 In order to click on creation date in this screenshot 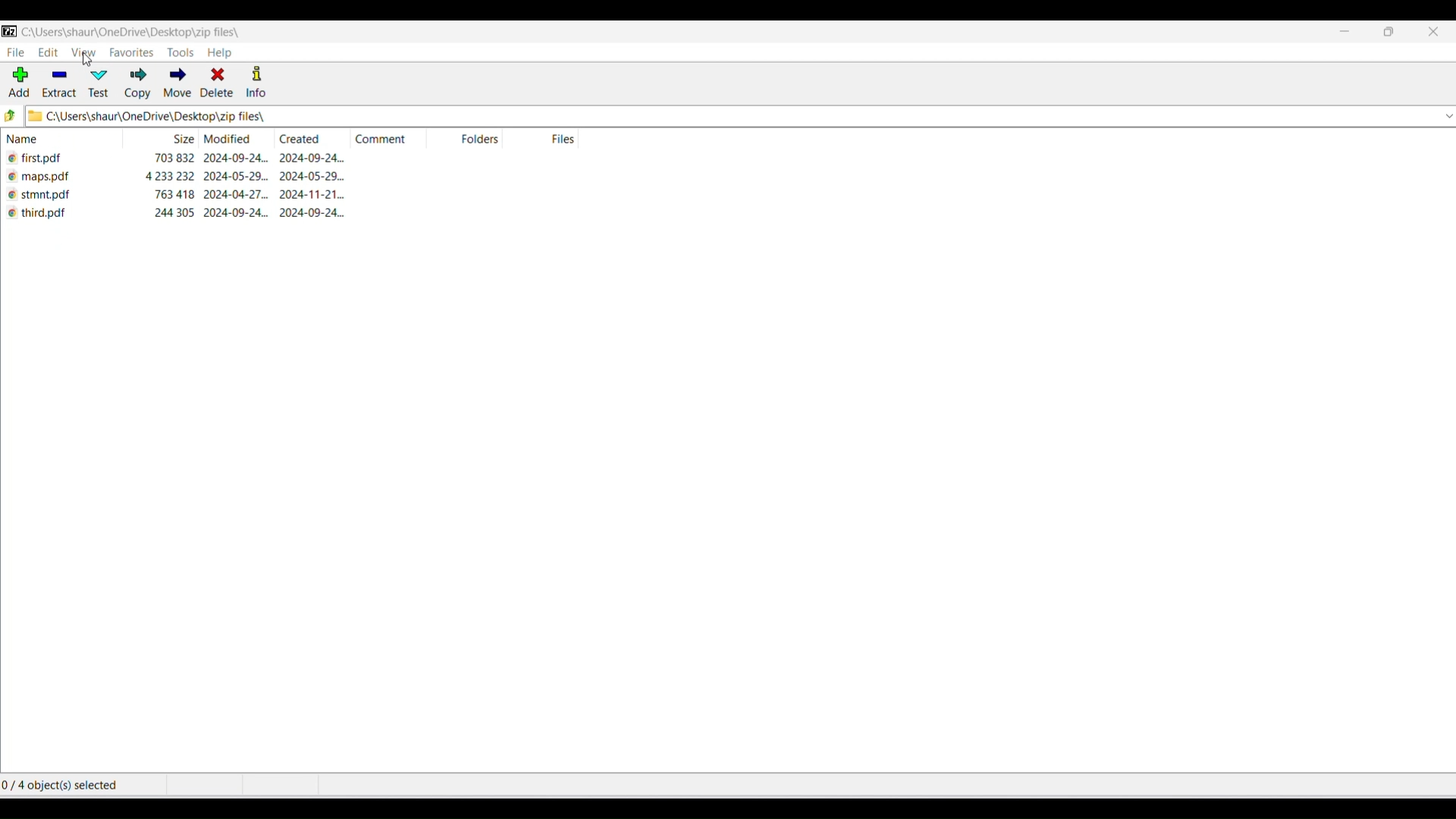, I will do `click(316, 193)`.